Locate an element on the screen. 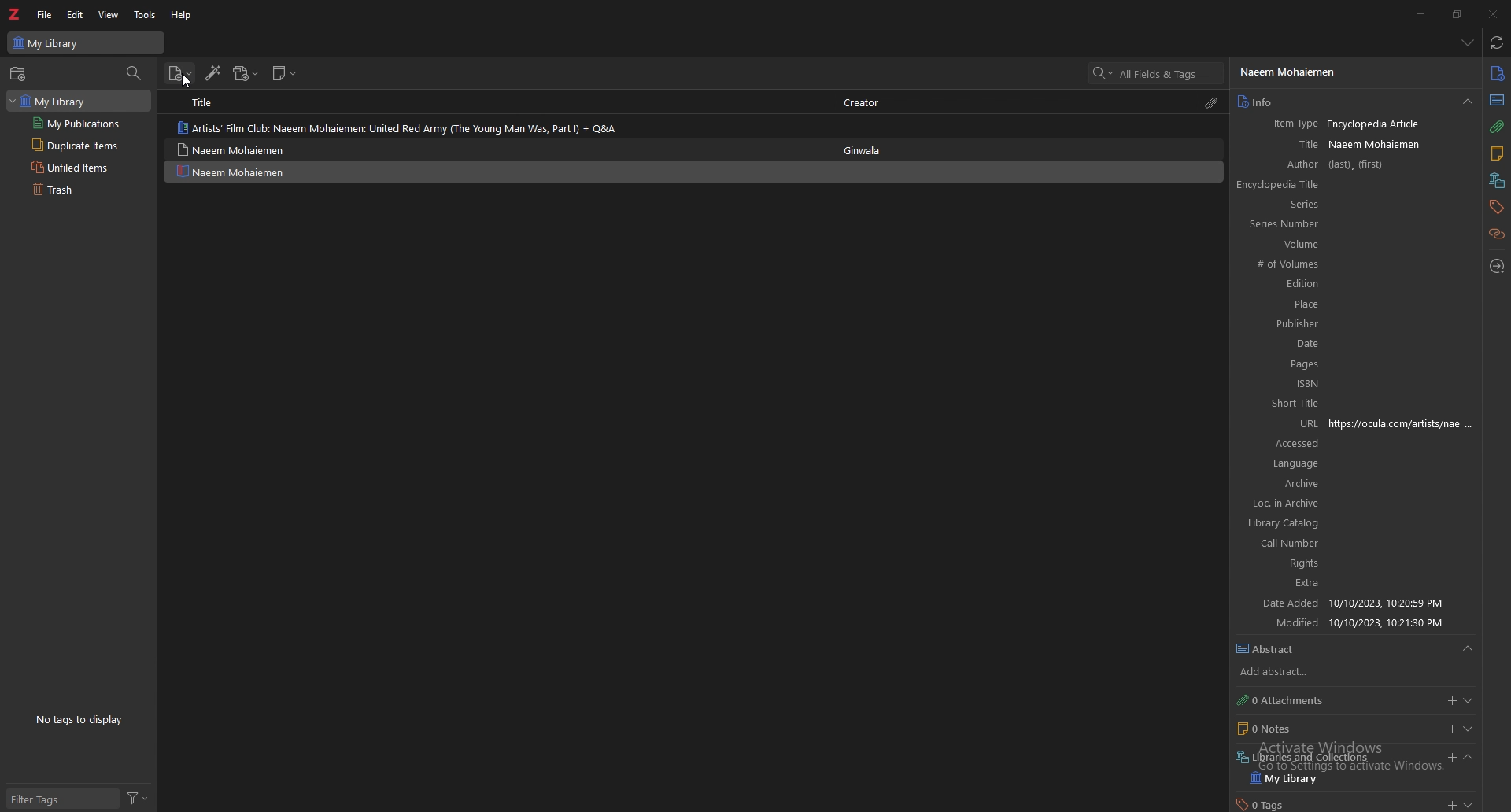 Image resolution: width=1511 pixels, height=812 pixels. URL is located at coordinates (1279, 423).